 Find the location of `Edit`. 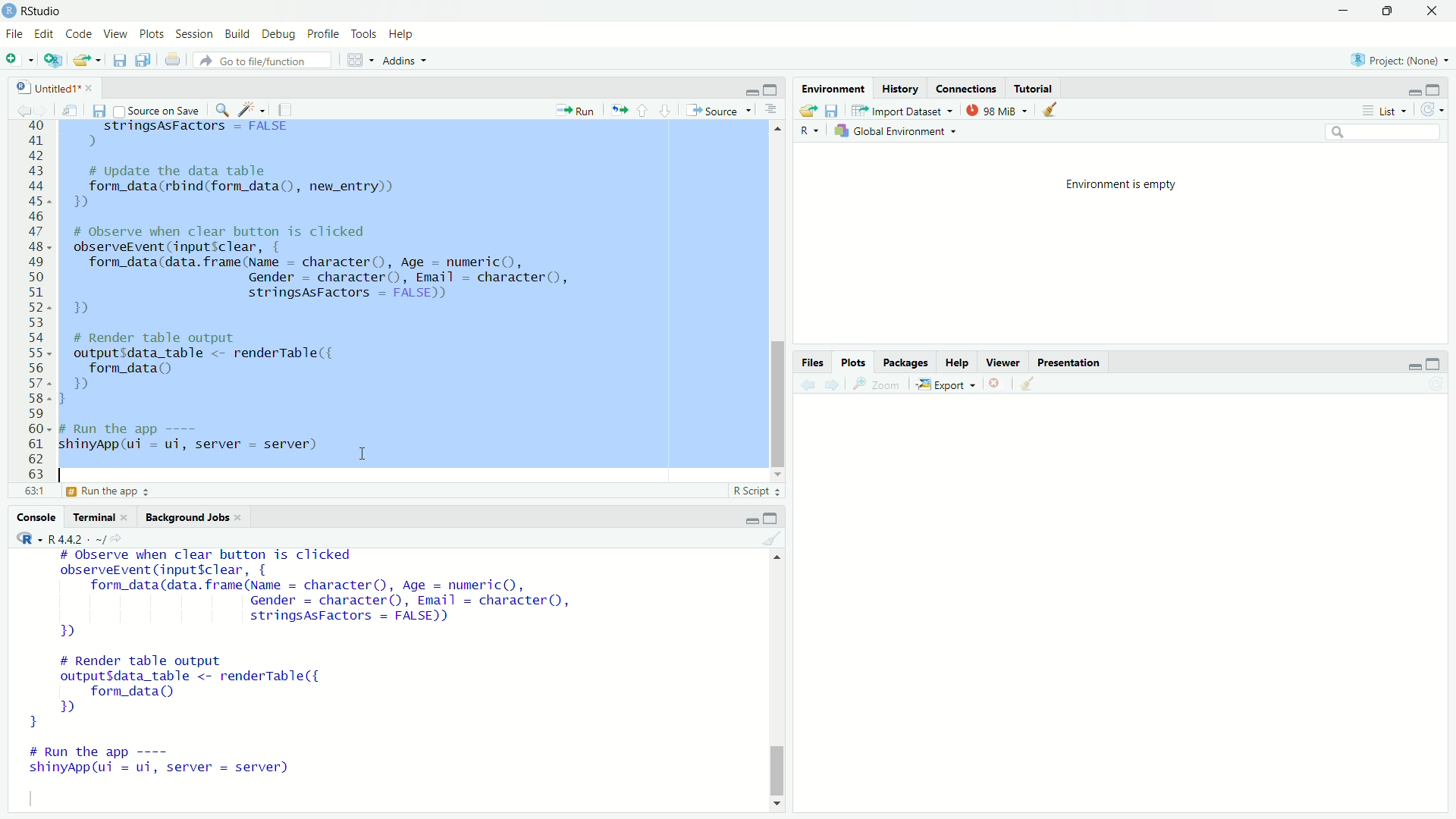

Edit is located at coordinates (45, 32).